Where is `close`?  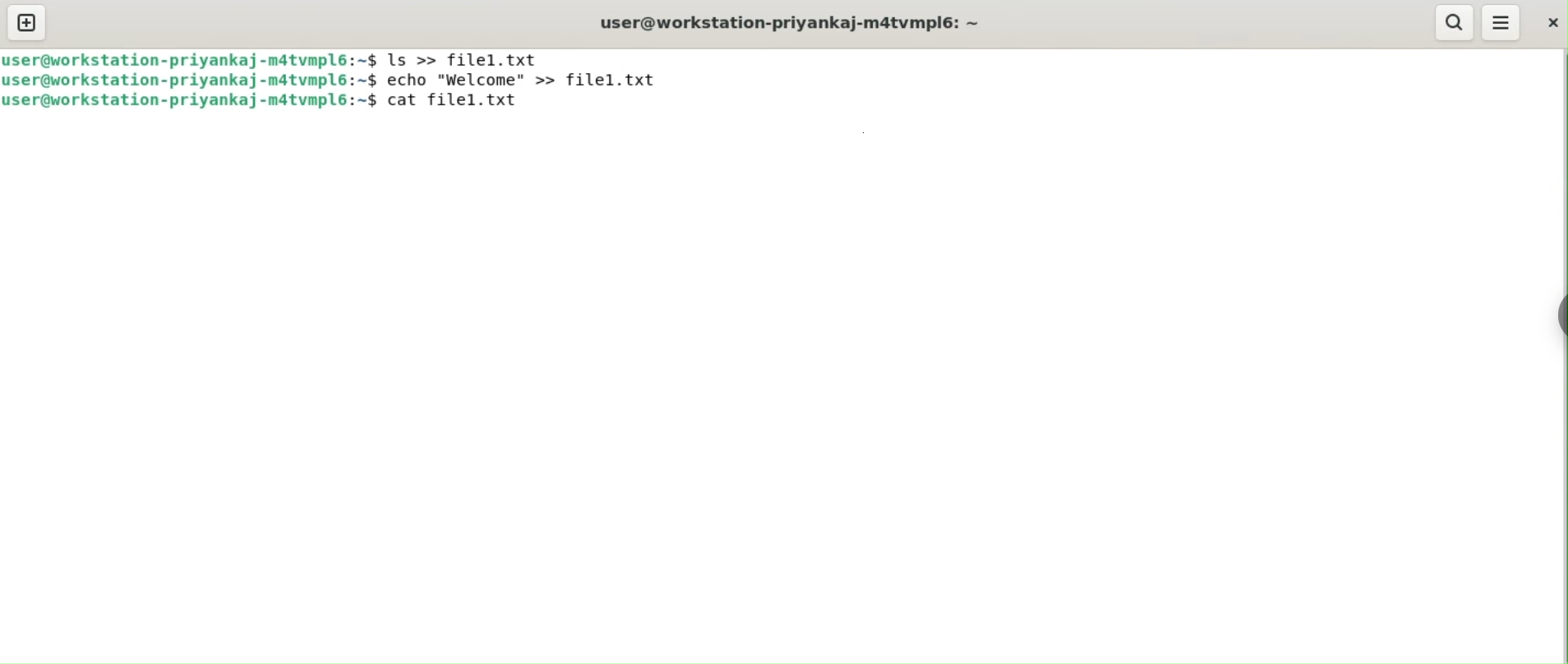 close is located at coordinates (1552, 26).